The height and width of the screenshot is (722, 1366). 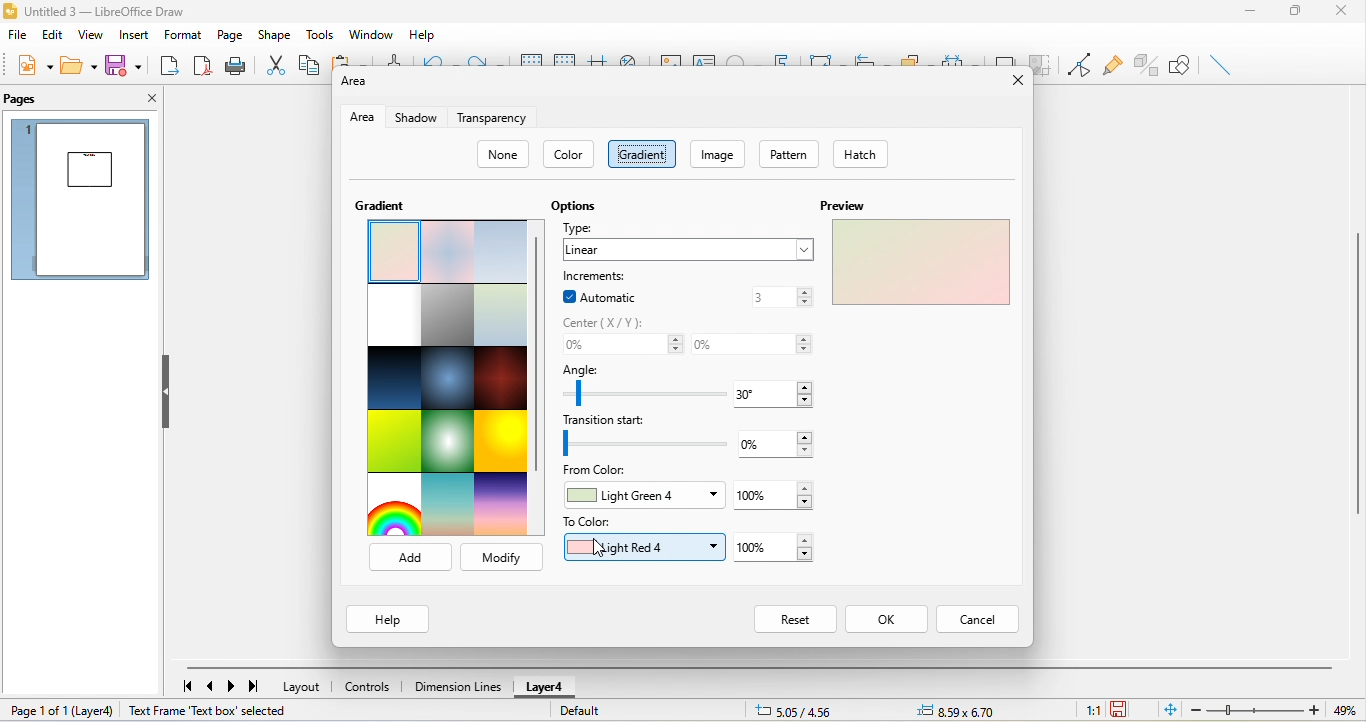 What do you see at coordinates (1084, 709) in the screenshot?
I see `1:1` at bounding box center [1084, 709].